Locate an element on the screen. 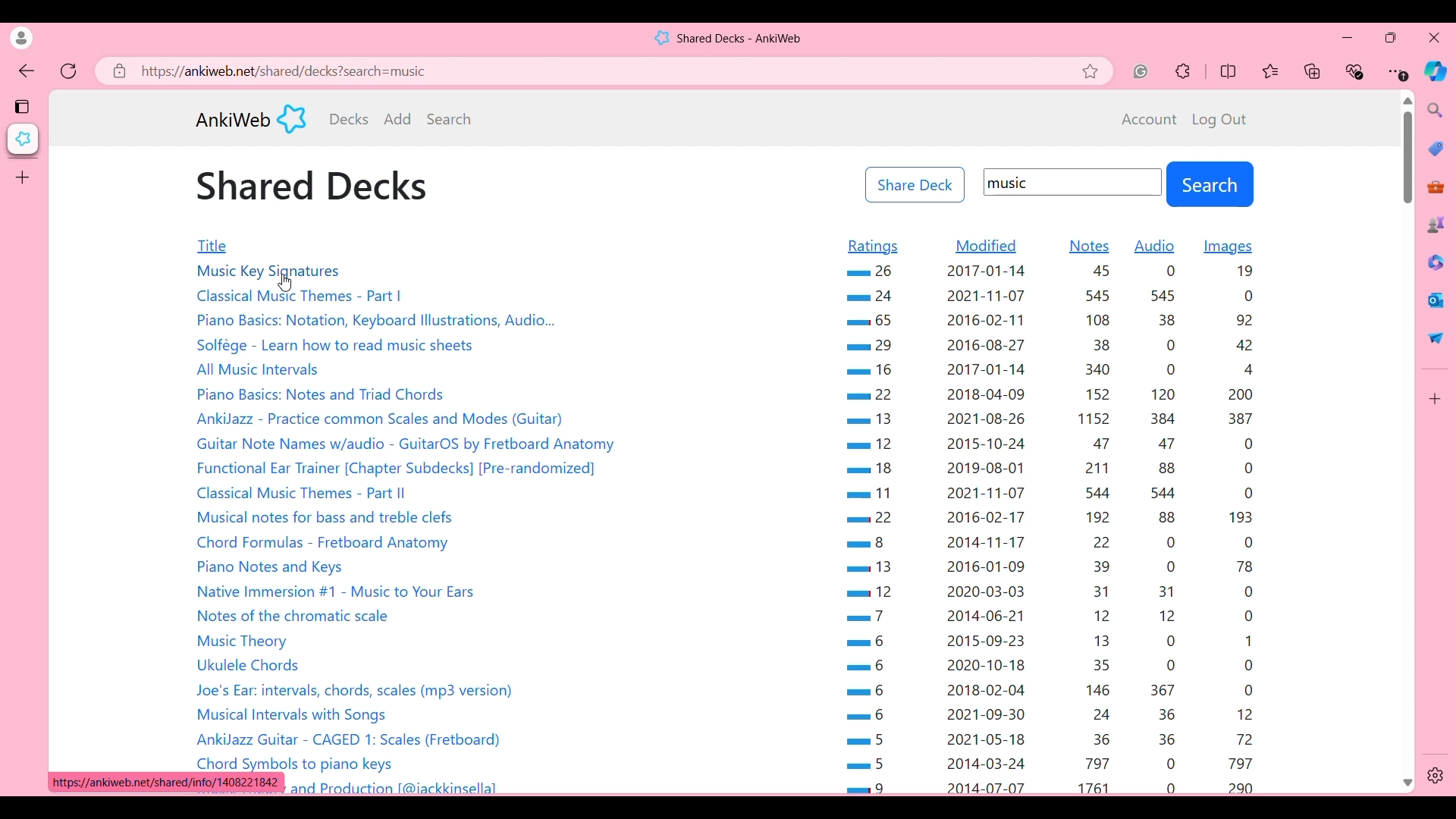  Browser shopping is located at coordinates (1436, 148).